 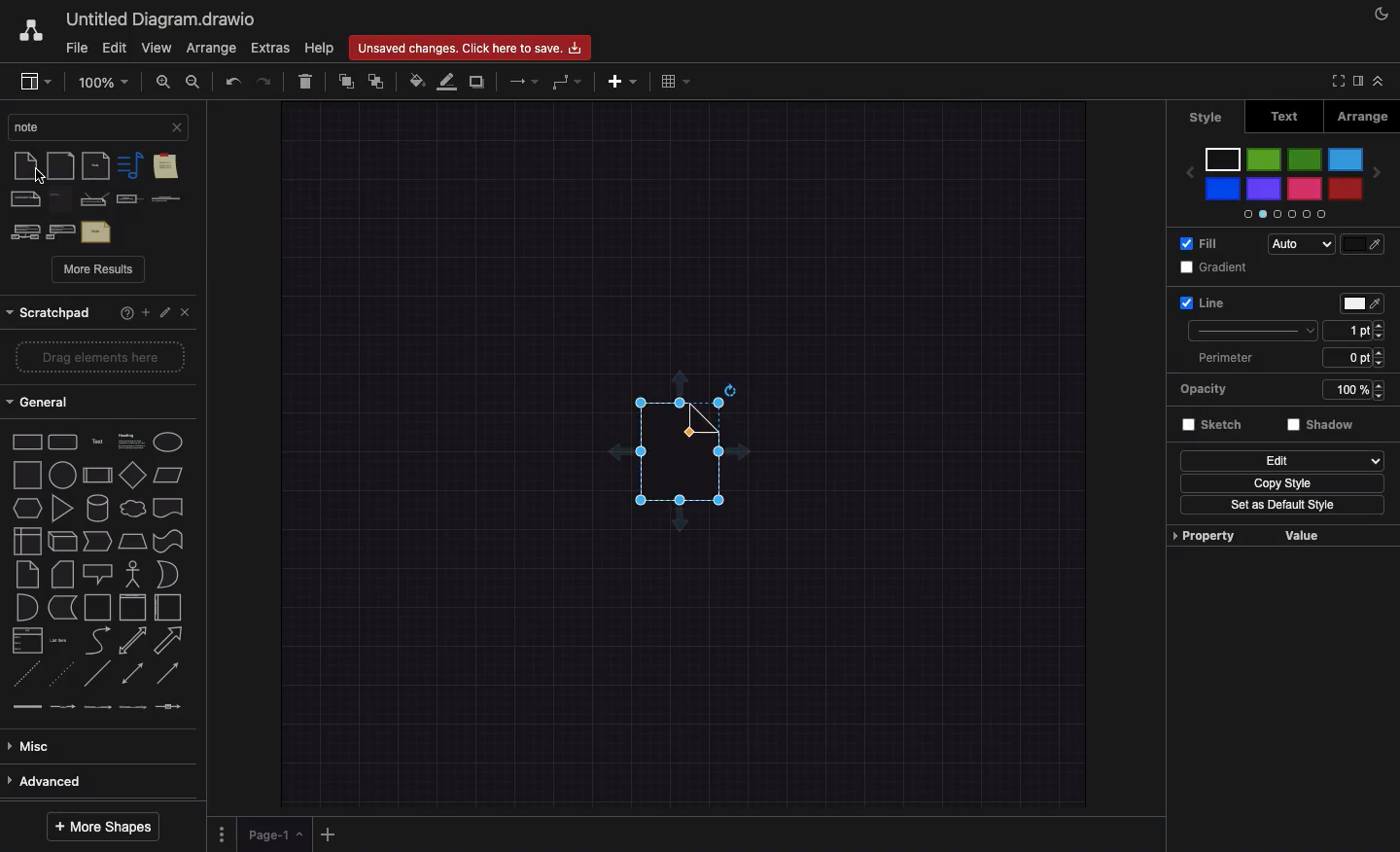 What do you see at coordinates (39, 178) in the screenshot?
I see `cursor` at bounding box center [39, 178].